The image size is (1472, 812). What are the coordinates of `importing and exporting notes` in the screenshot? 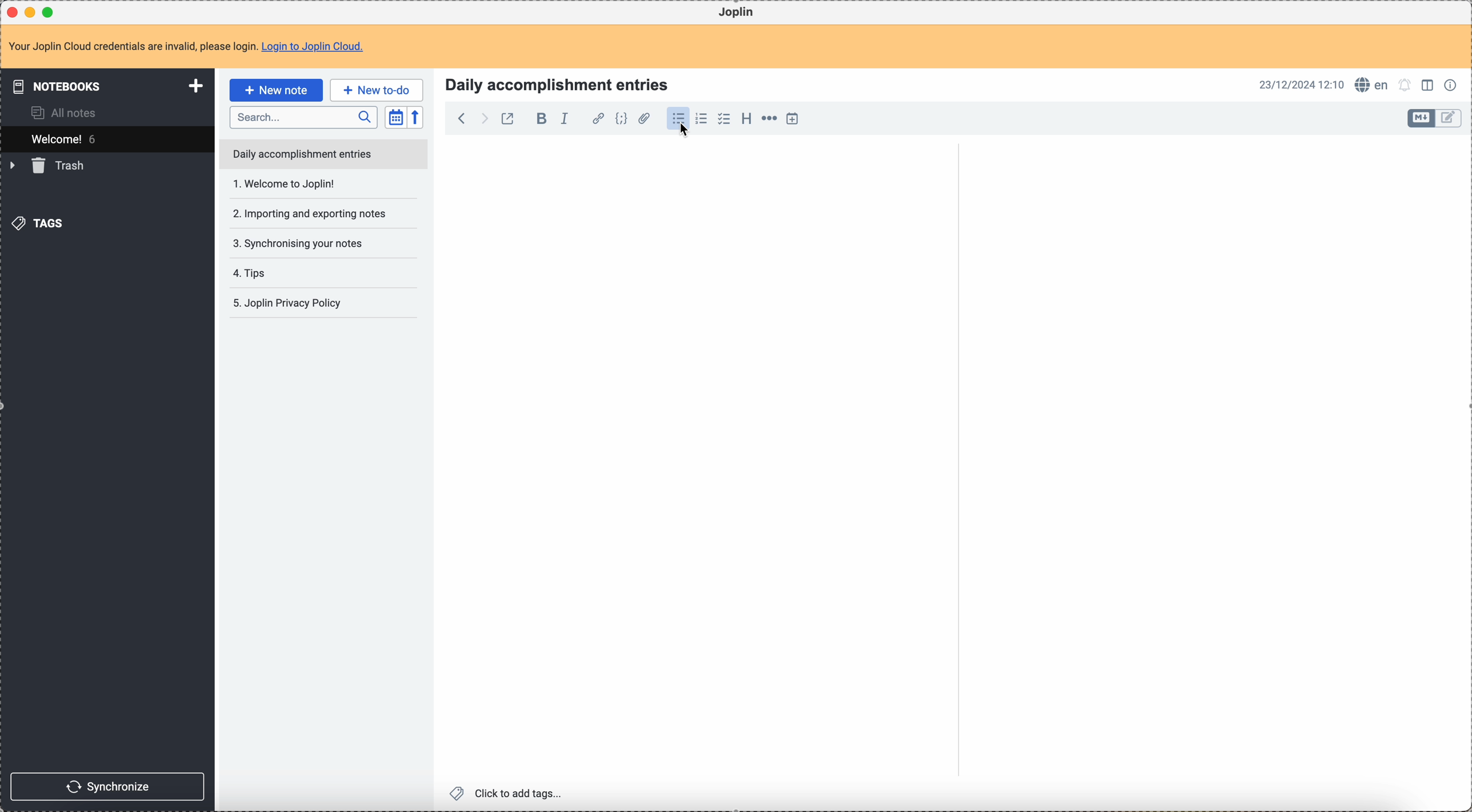 It's located at (309, 183).